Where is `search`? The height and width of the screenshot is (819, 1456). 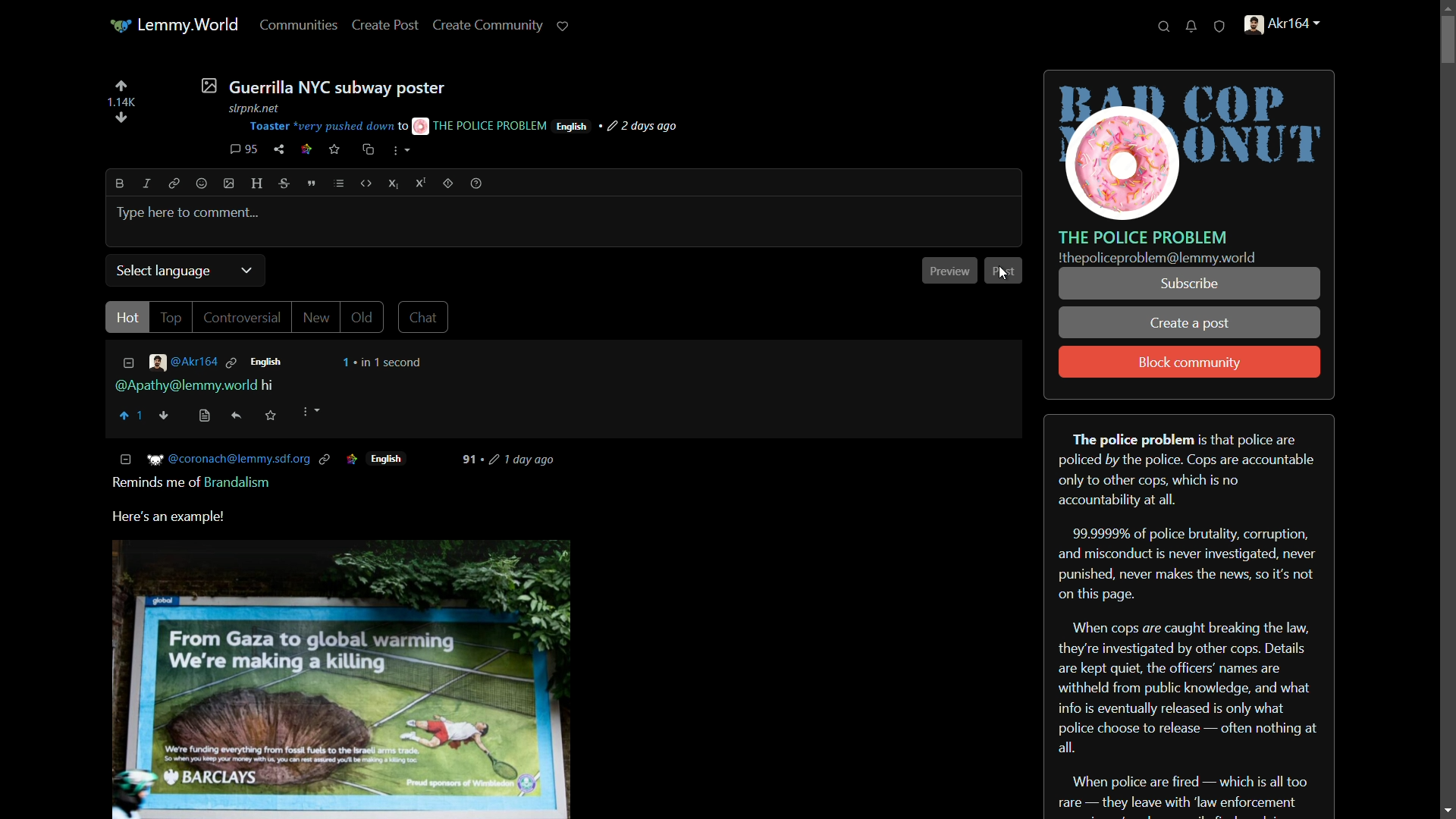
search is located at coordinates (1164, 27).